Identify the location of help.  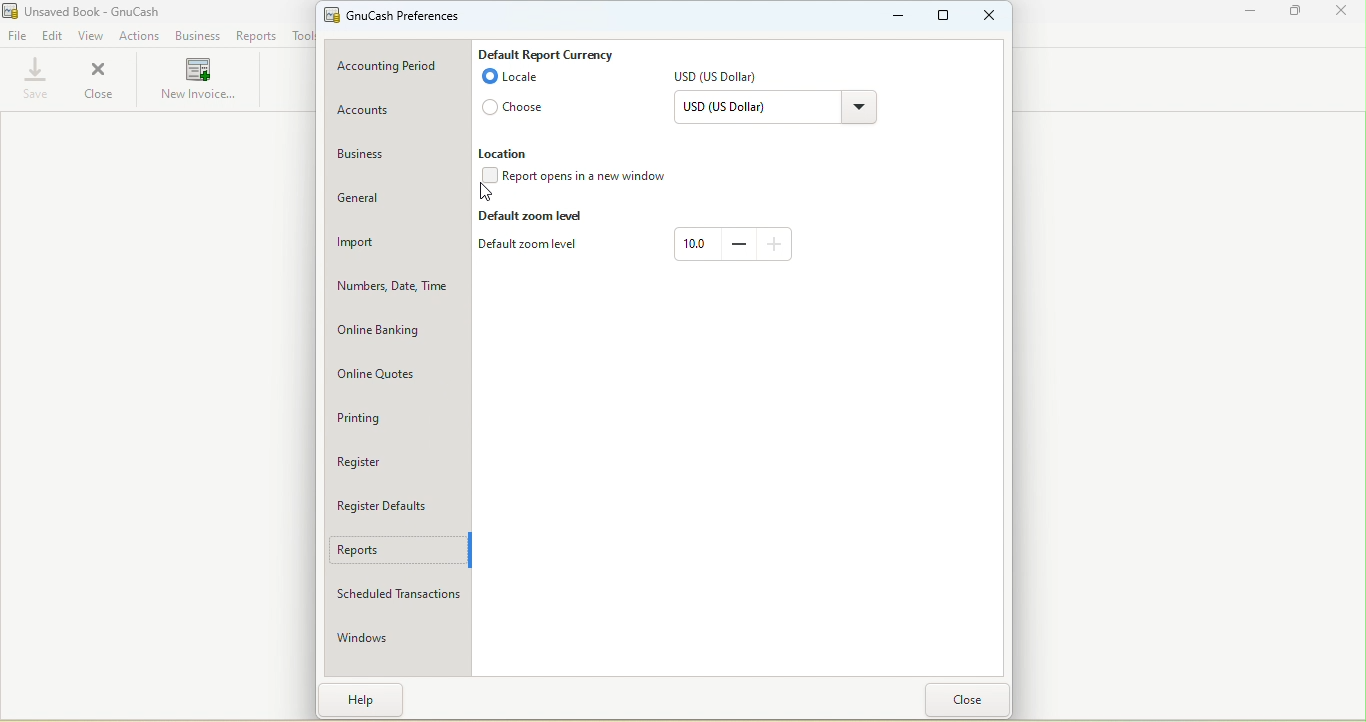
(367, 699).